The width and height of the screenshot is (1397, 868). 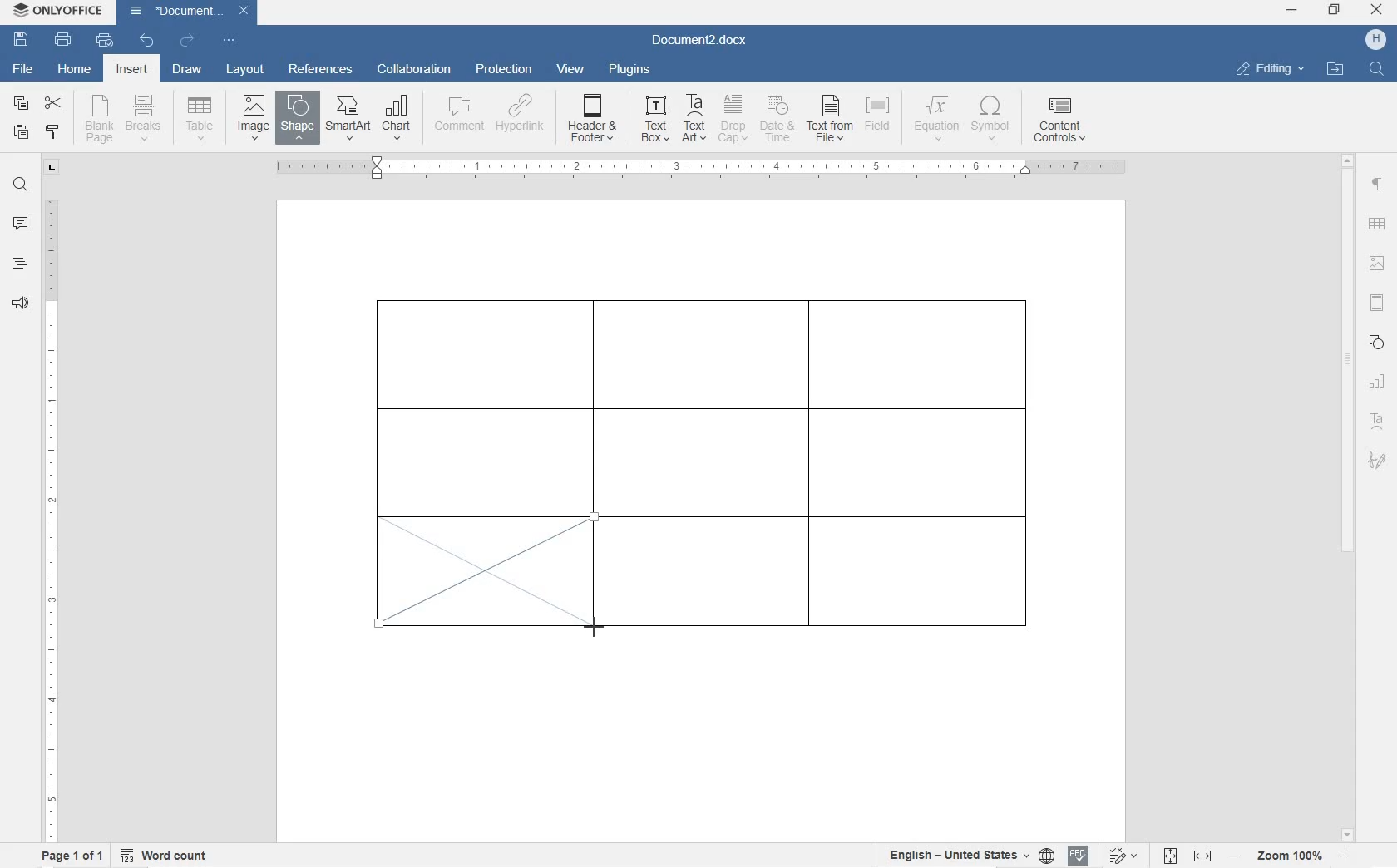 I want to click on word count, so click(x=165, y=855).